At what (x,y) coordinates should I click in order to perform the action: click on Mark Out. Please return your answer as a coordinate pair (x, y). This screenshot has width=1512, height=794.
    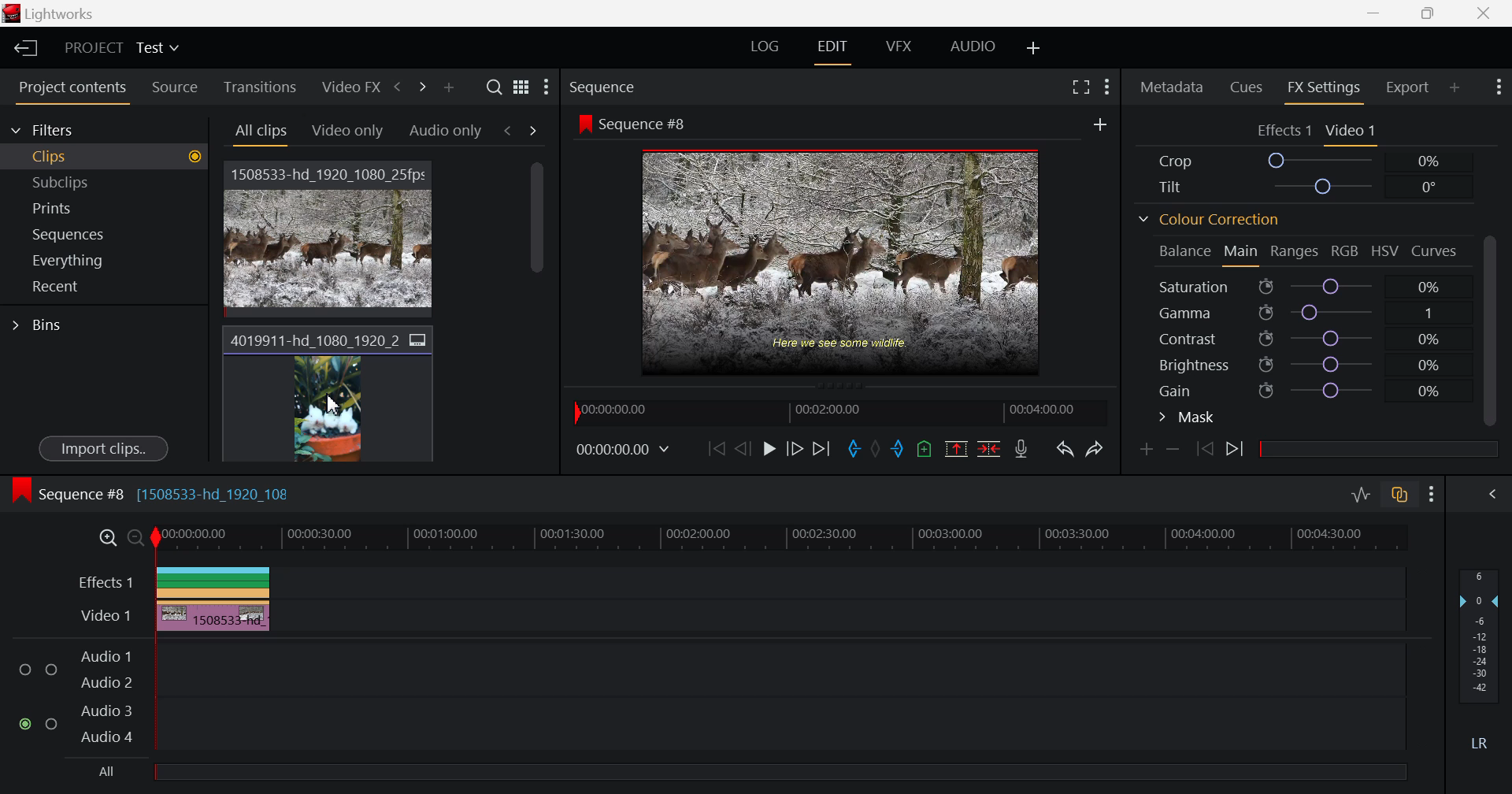
    Looking at the image, I should click on (899, 451).